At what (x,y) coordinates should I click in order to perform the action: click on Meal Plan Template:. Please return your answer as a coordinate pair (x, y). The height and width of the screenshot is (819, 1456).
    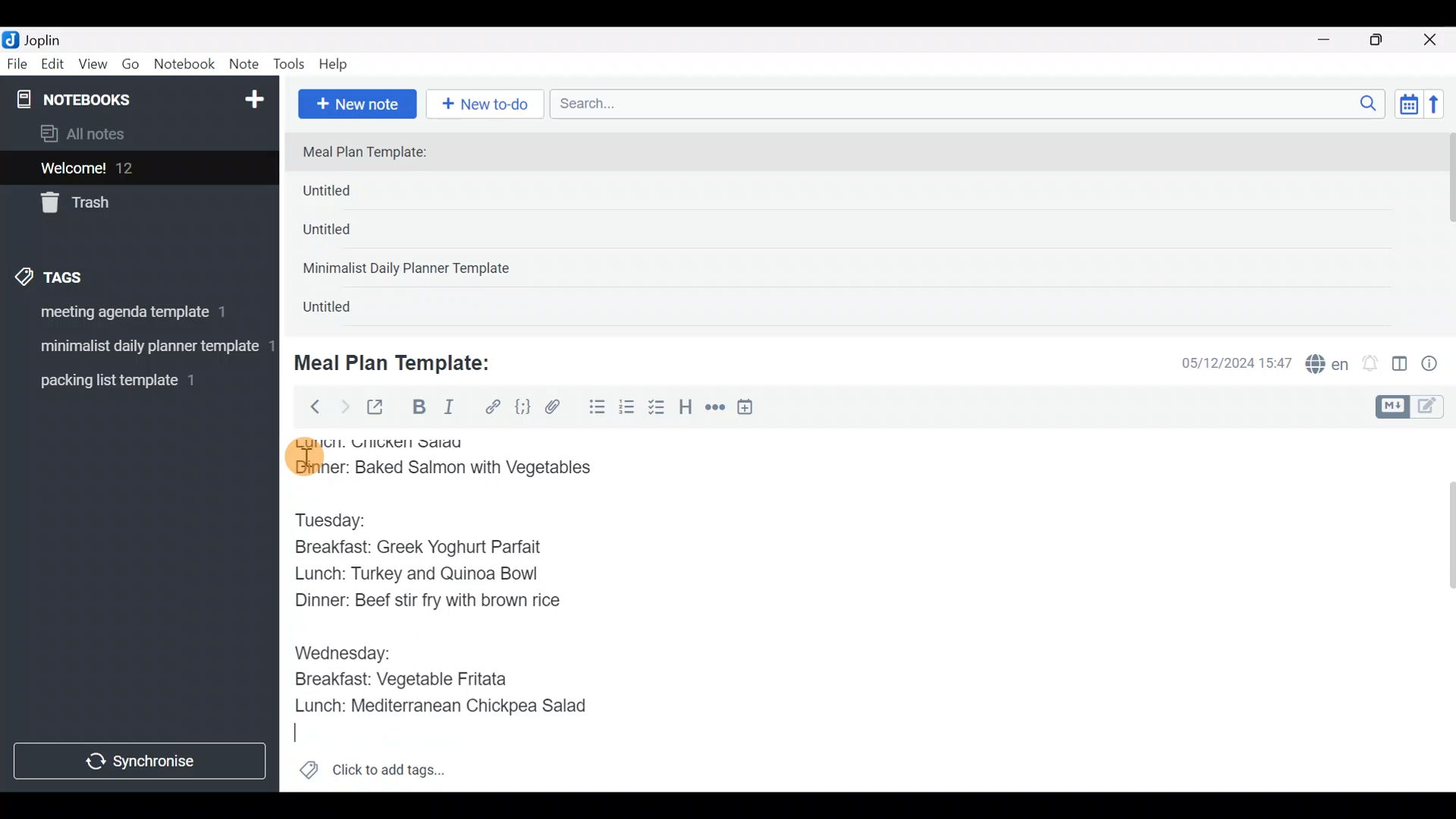
    Looking at the image, I should click on (374, 153).